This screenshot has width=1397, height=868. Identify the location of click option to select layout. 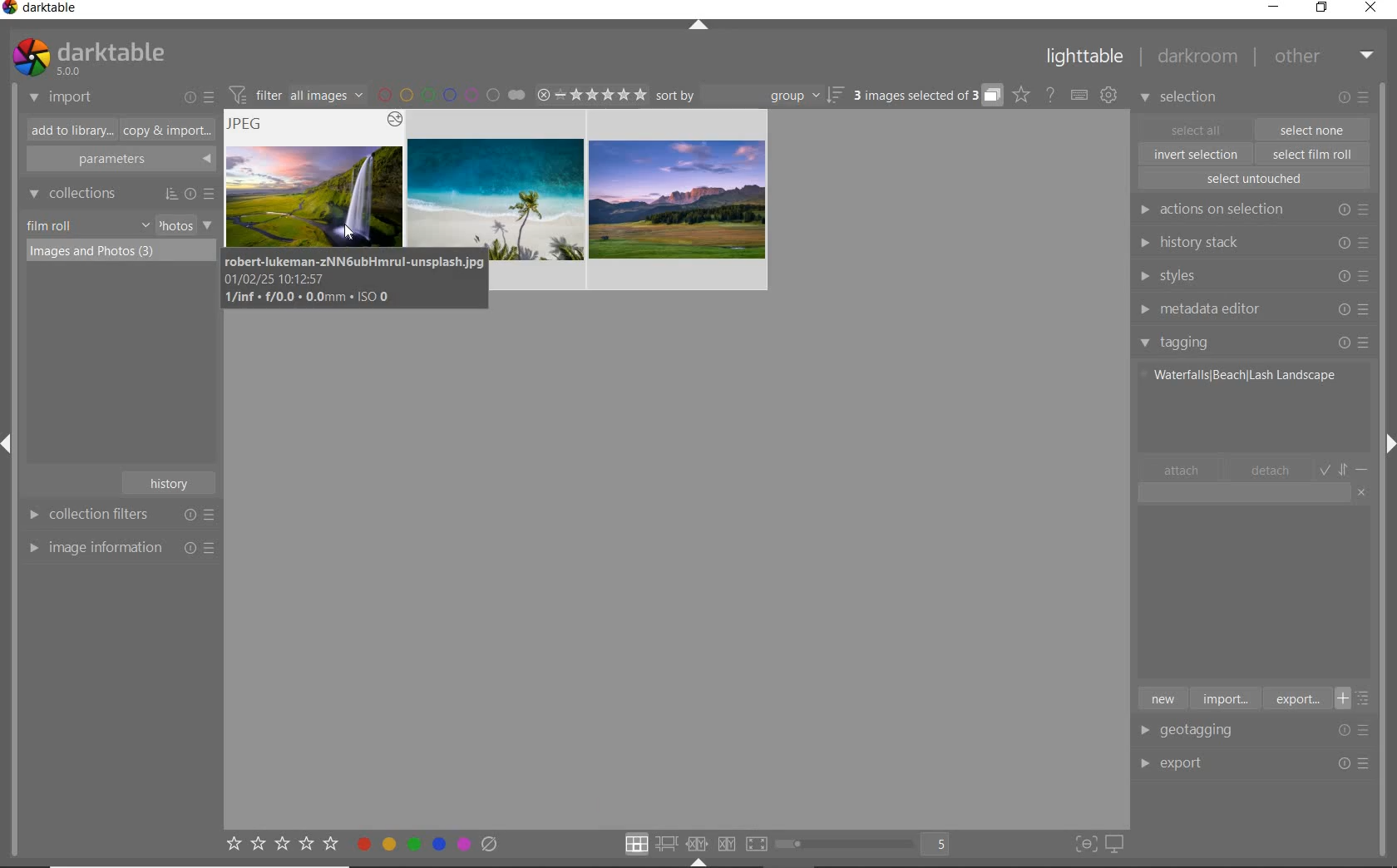
(693, 844).